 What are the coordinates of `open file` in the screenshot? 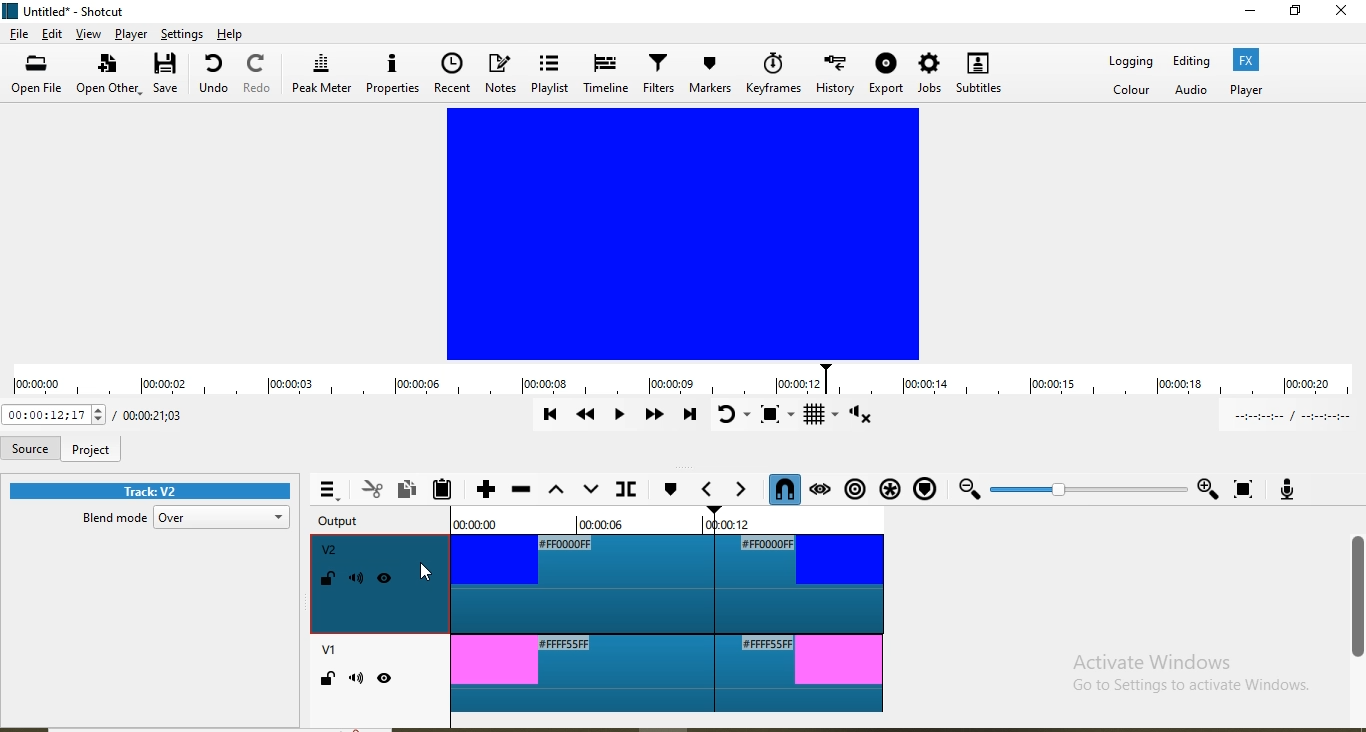 It's located at (37, 75).